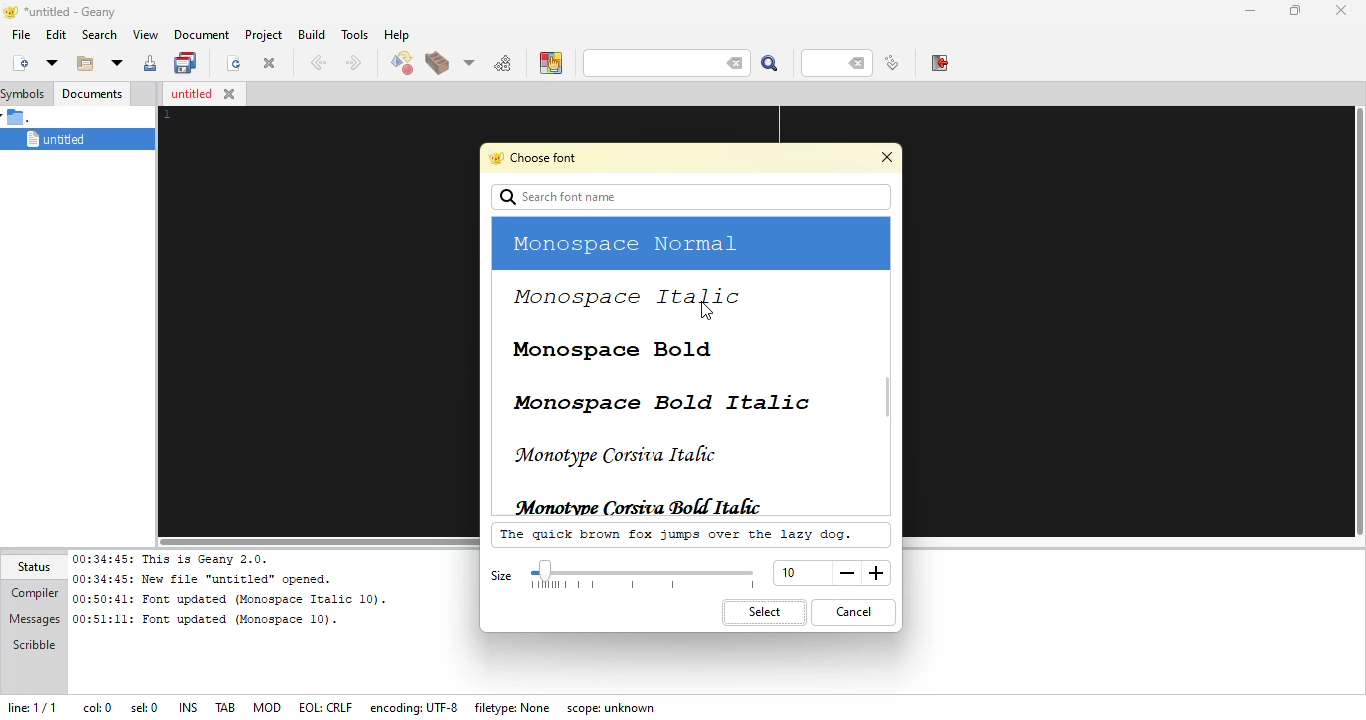 The image size is (1366, 720). What do you see at coordinates (269, 64) in the screenshot?
I see `close` at bounding box center [269, 64].